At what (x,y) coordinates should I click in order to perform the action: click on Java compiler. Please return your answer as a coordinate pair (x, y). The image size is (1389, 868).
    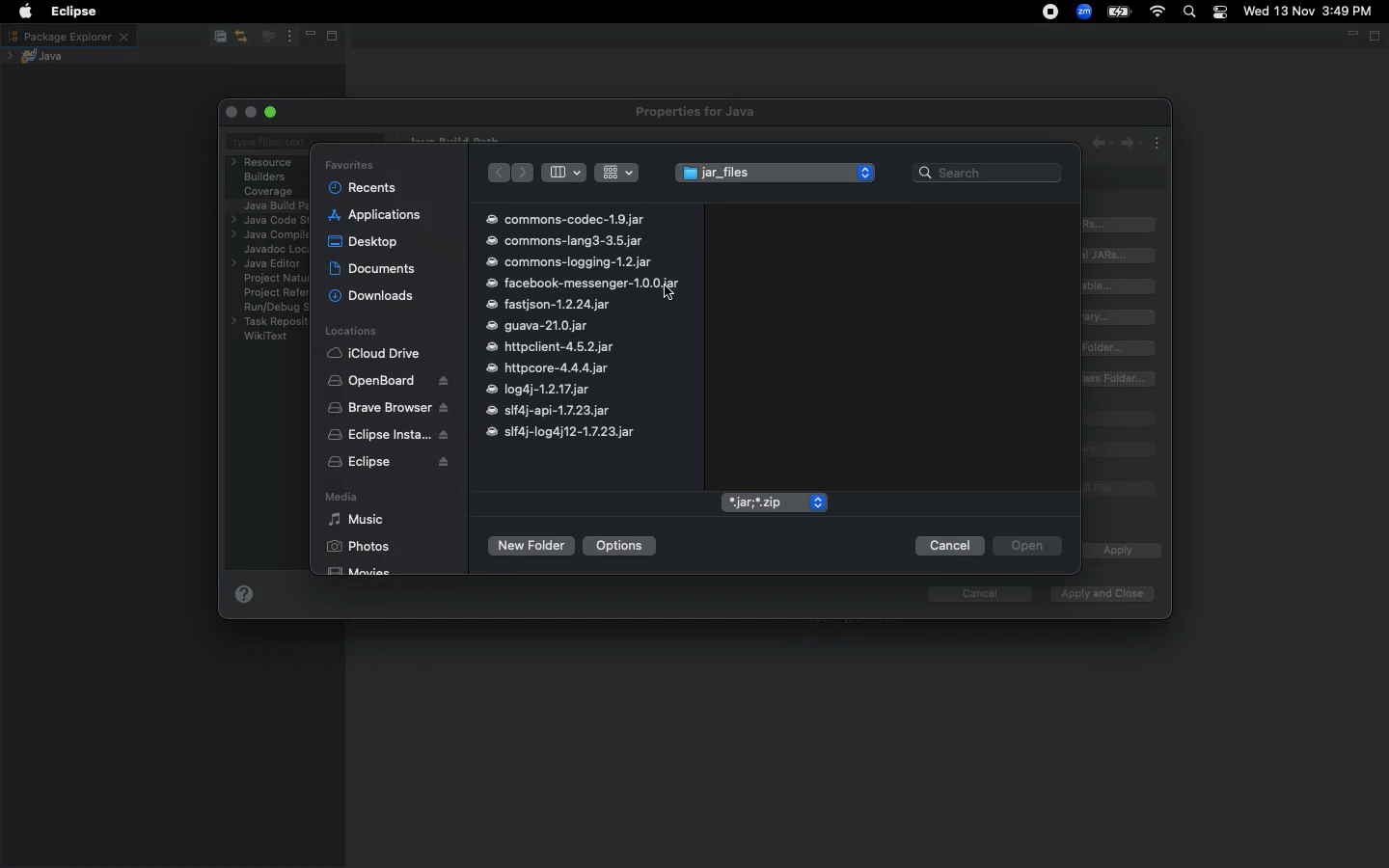
    Looking at the image, I should click on (268, 236).